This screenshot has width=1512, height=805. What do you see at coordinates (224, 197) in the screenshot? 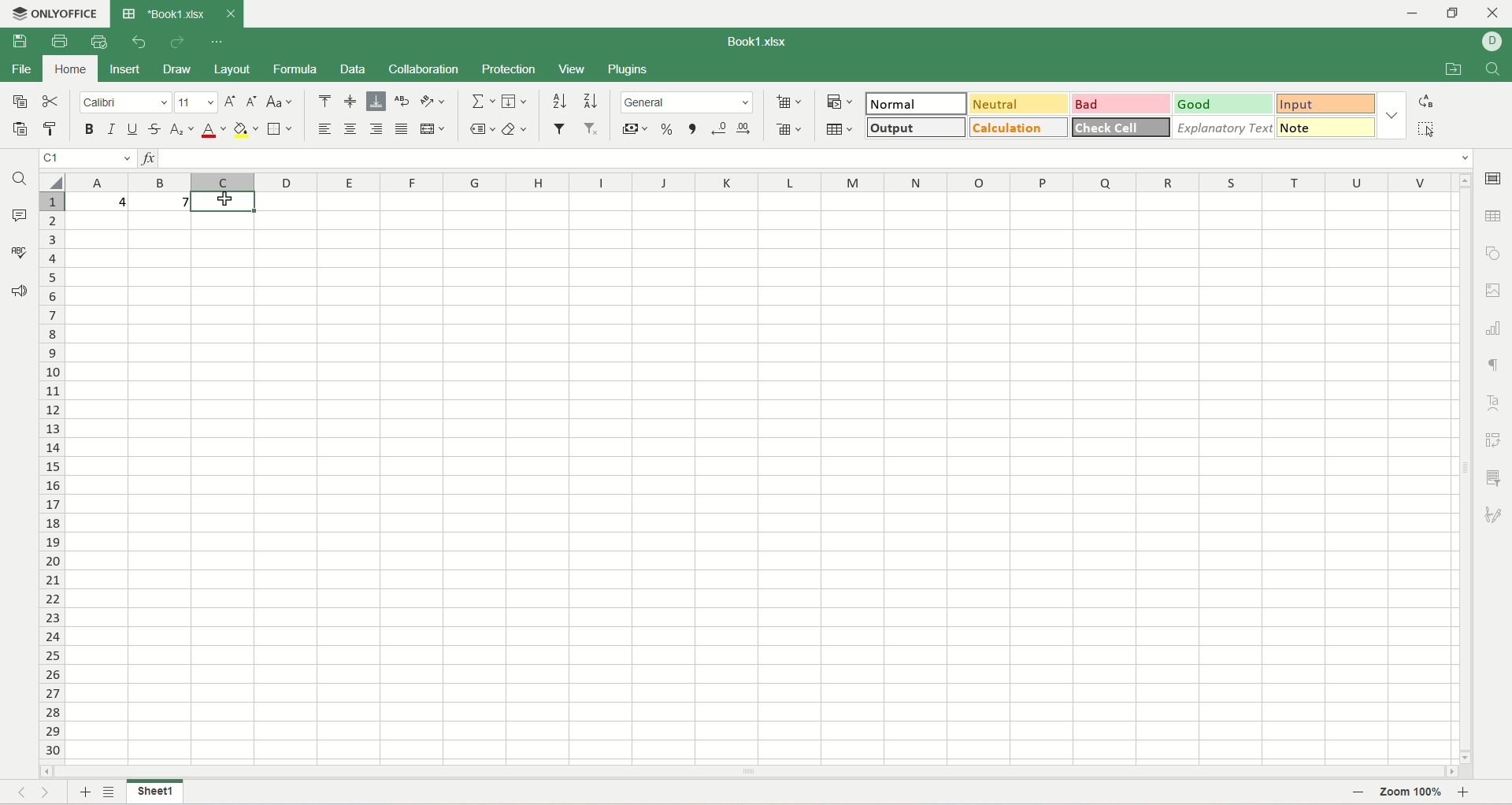
I see `cursor` at bounding box center [224, 197].